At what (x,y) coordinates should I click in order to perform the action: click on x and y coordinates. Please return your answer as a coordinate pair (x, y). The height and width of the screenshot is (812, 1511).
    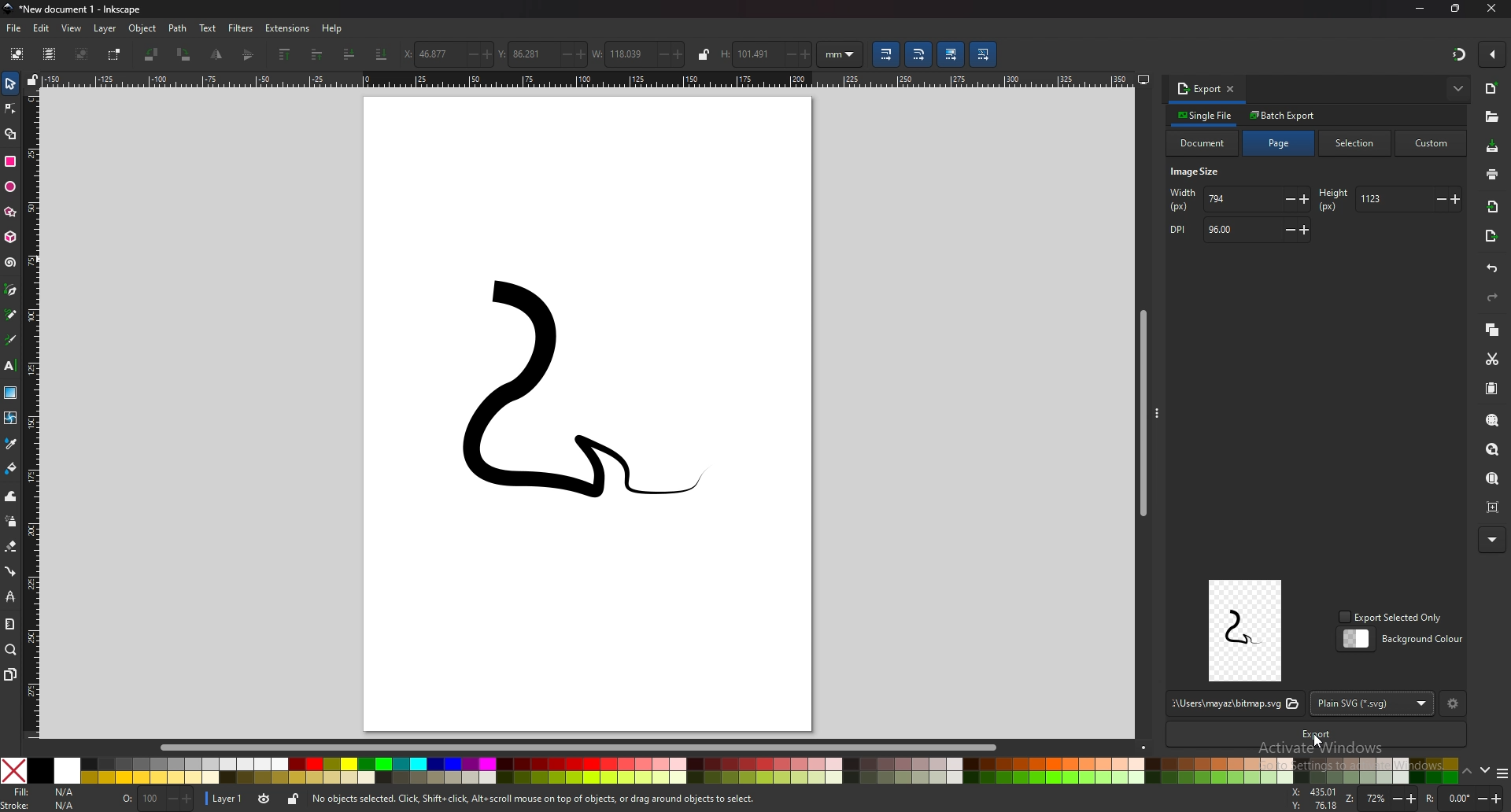
    Looking at the image, I should click on (1313, 798).